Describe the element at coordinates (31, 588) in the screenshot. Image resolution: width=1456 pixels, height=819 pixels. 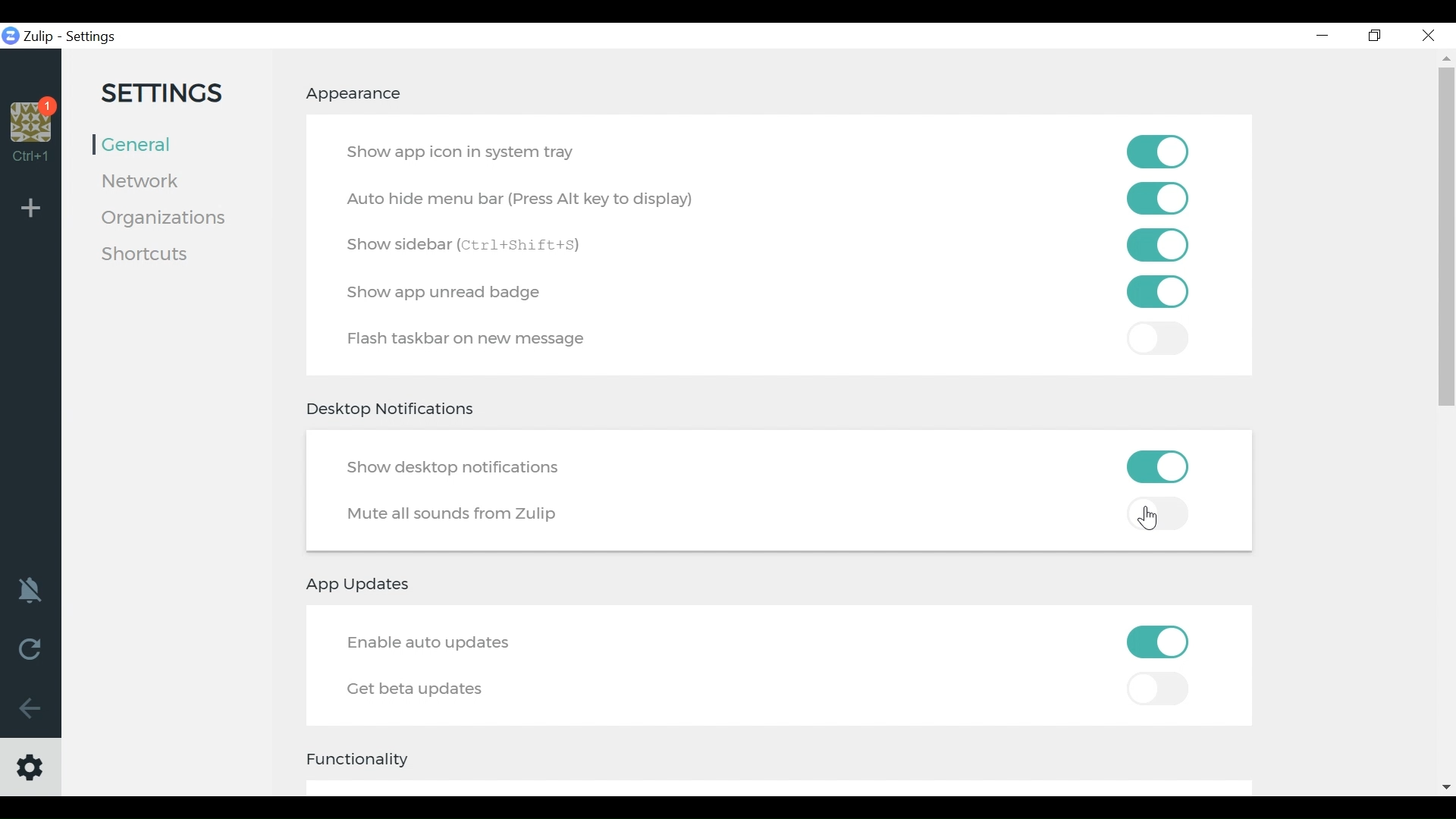
I see `notification` at that location.